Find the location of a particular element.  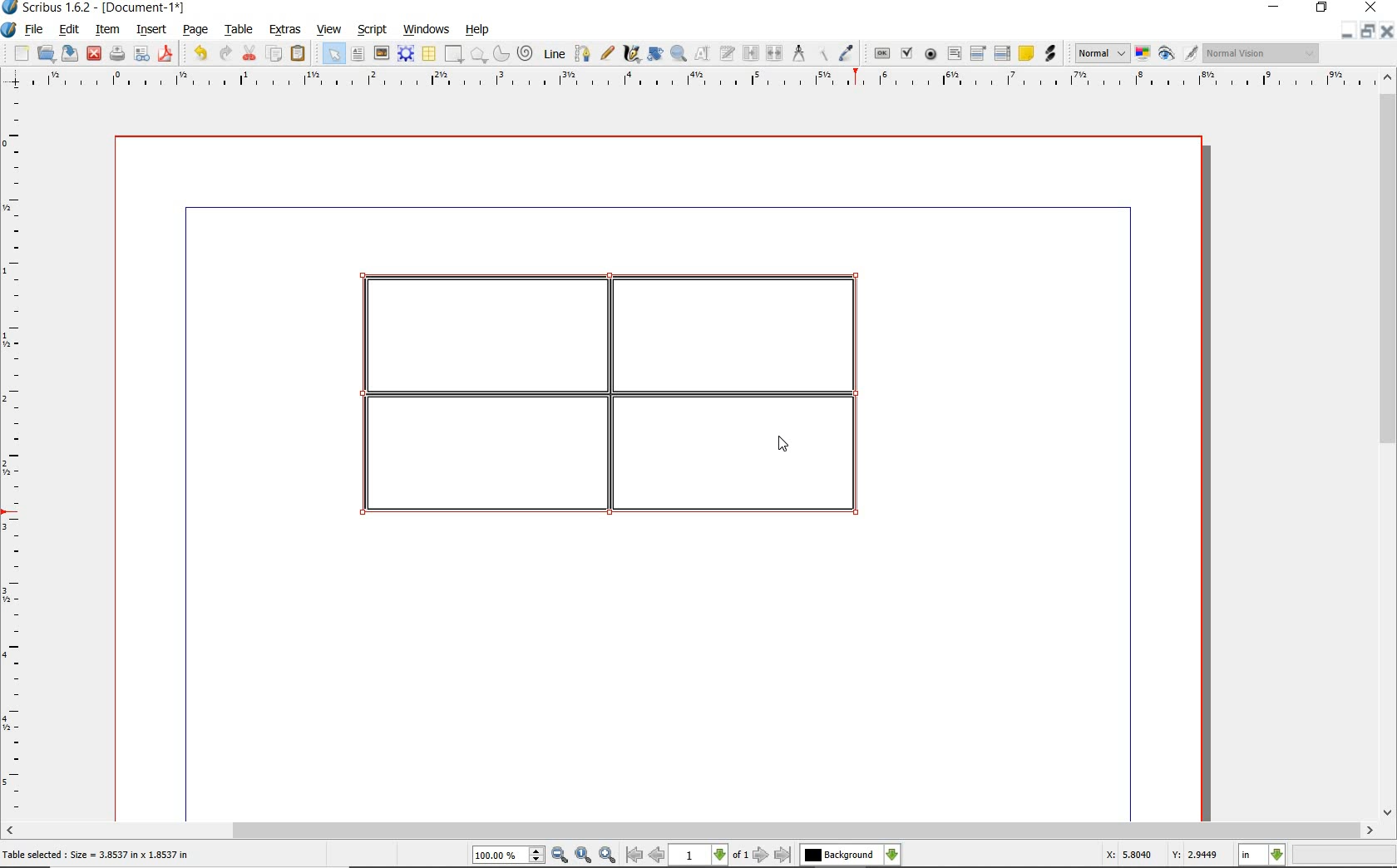

go to last page is located at coordinates (784, 855).